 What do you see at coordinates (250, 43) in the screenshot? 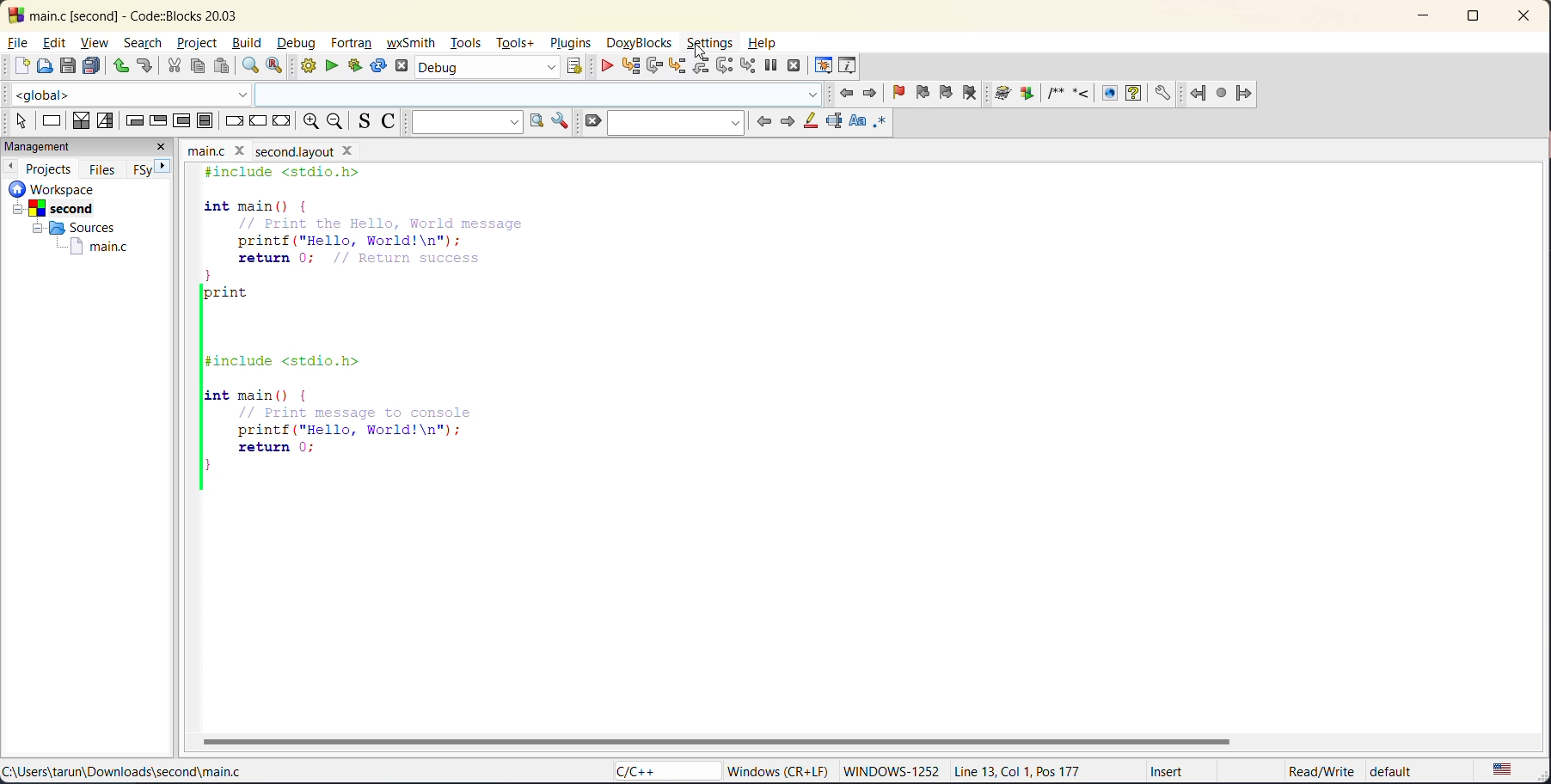
I see `build` at bounding box center [250, 43].